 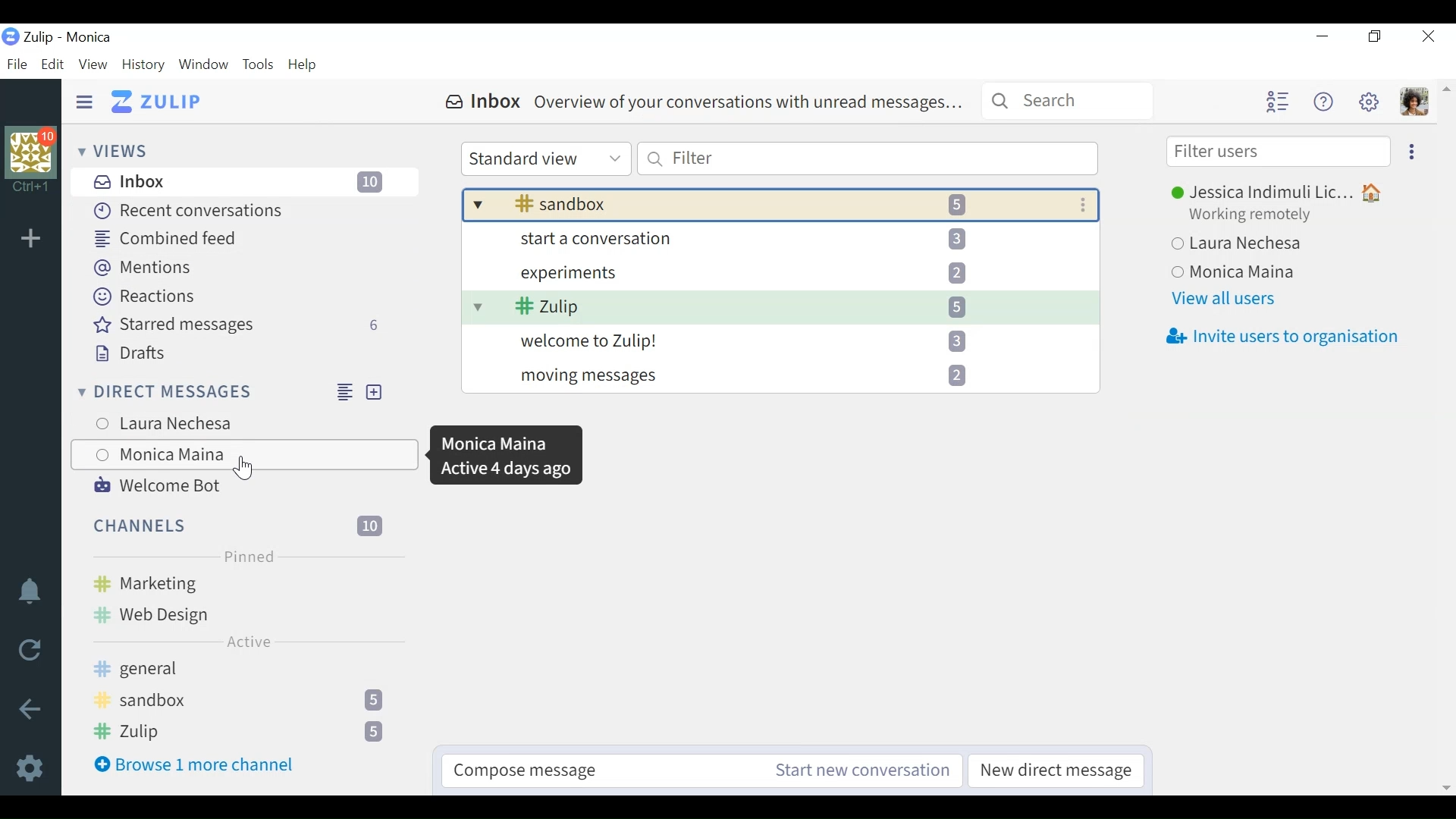 What do you see at coordinates (249, 642) in the screenshot?
I see `Active` at bounding box center [249, 642].